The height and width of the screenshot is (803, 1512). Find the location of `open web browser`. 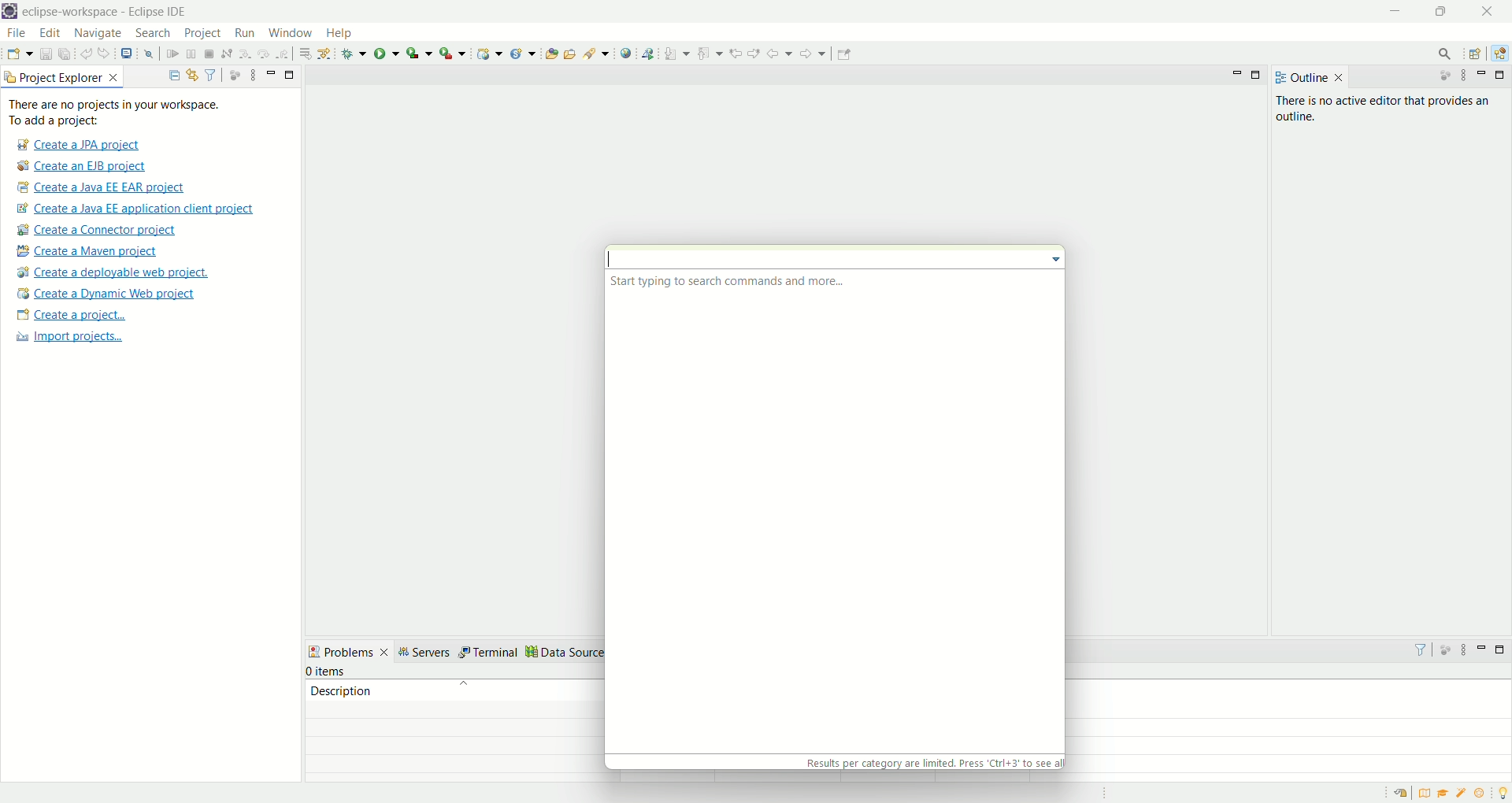

open web browser is located at coordinates (625, 52).